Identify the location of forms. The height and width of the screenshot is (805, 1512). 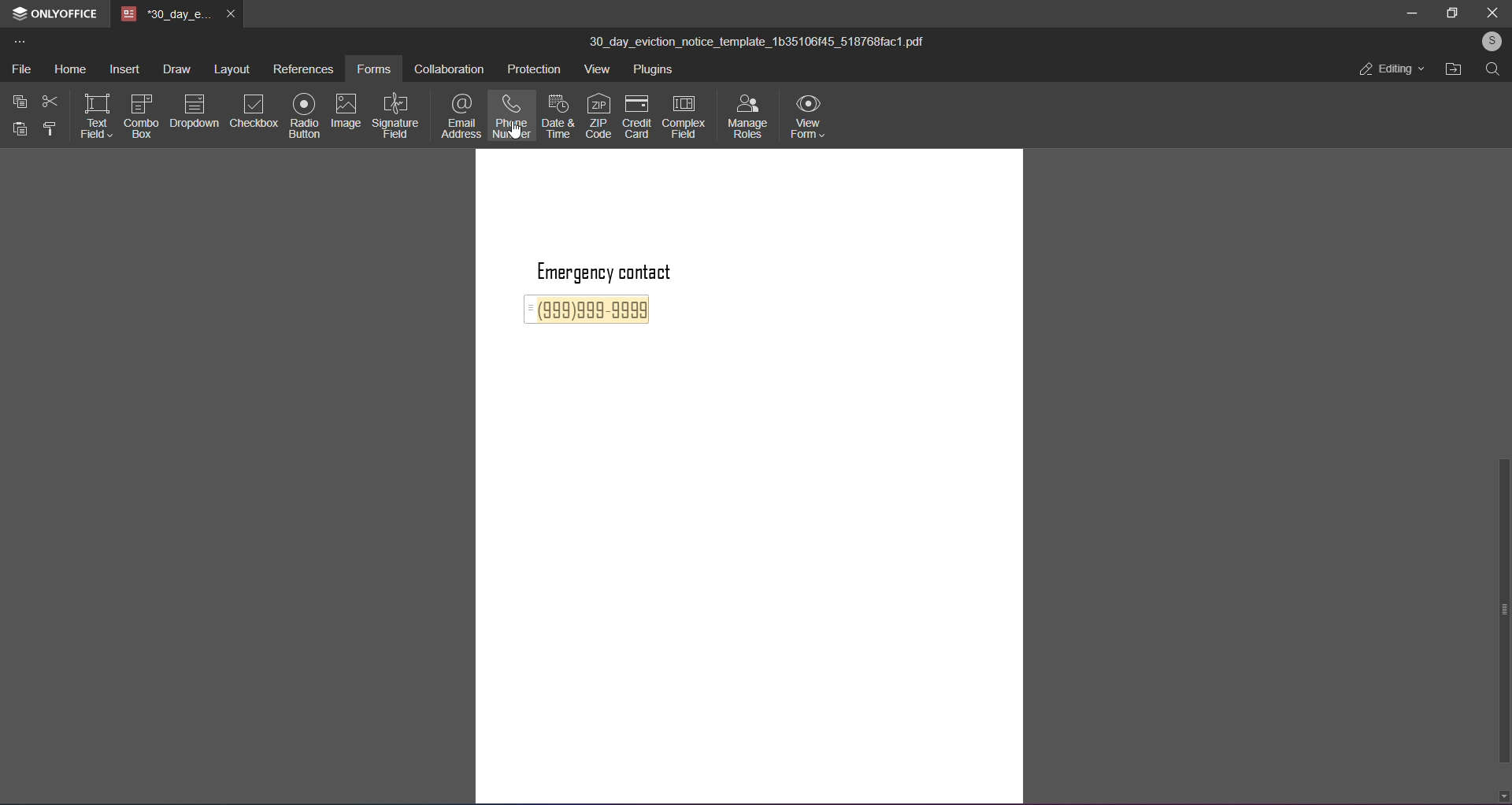
(375, 65).